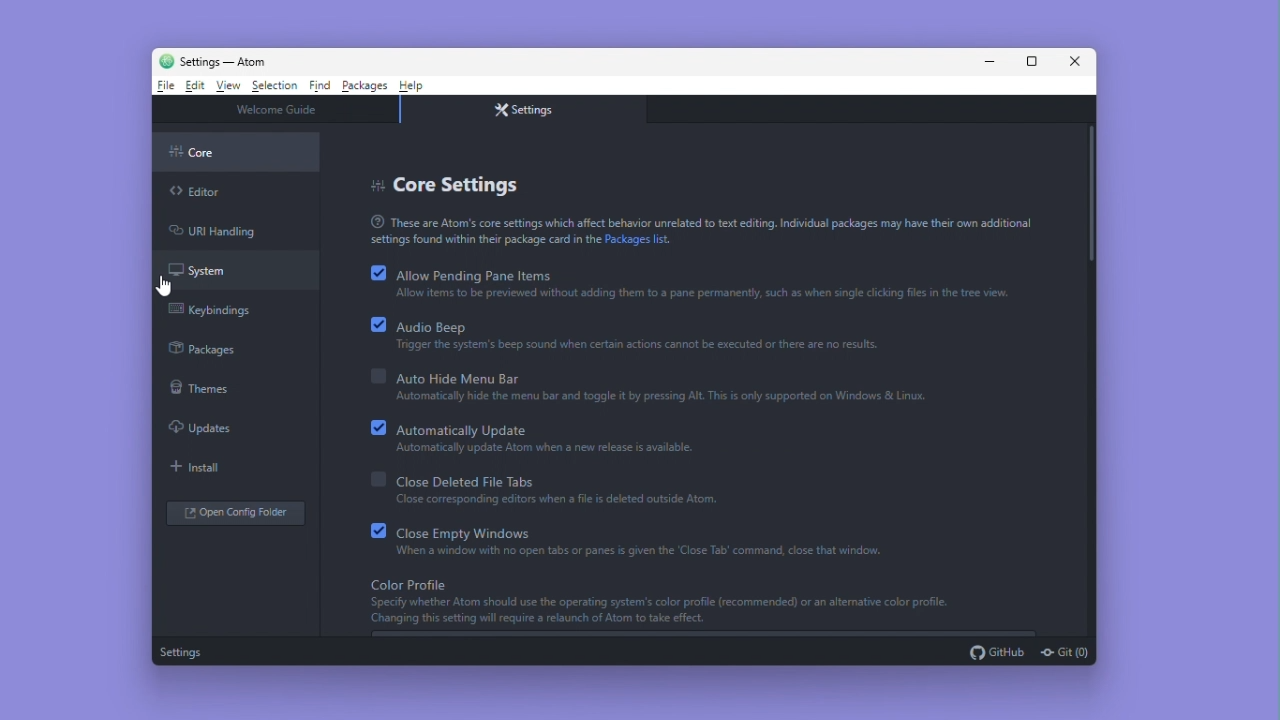 The height and width of the screenshot is (720, 1280). Describe the element at coordinates (444, 377) in the screenshot. I see `Auto hide menu bar` at that location.